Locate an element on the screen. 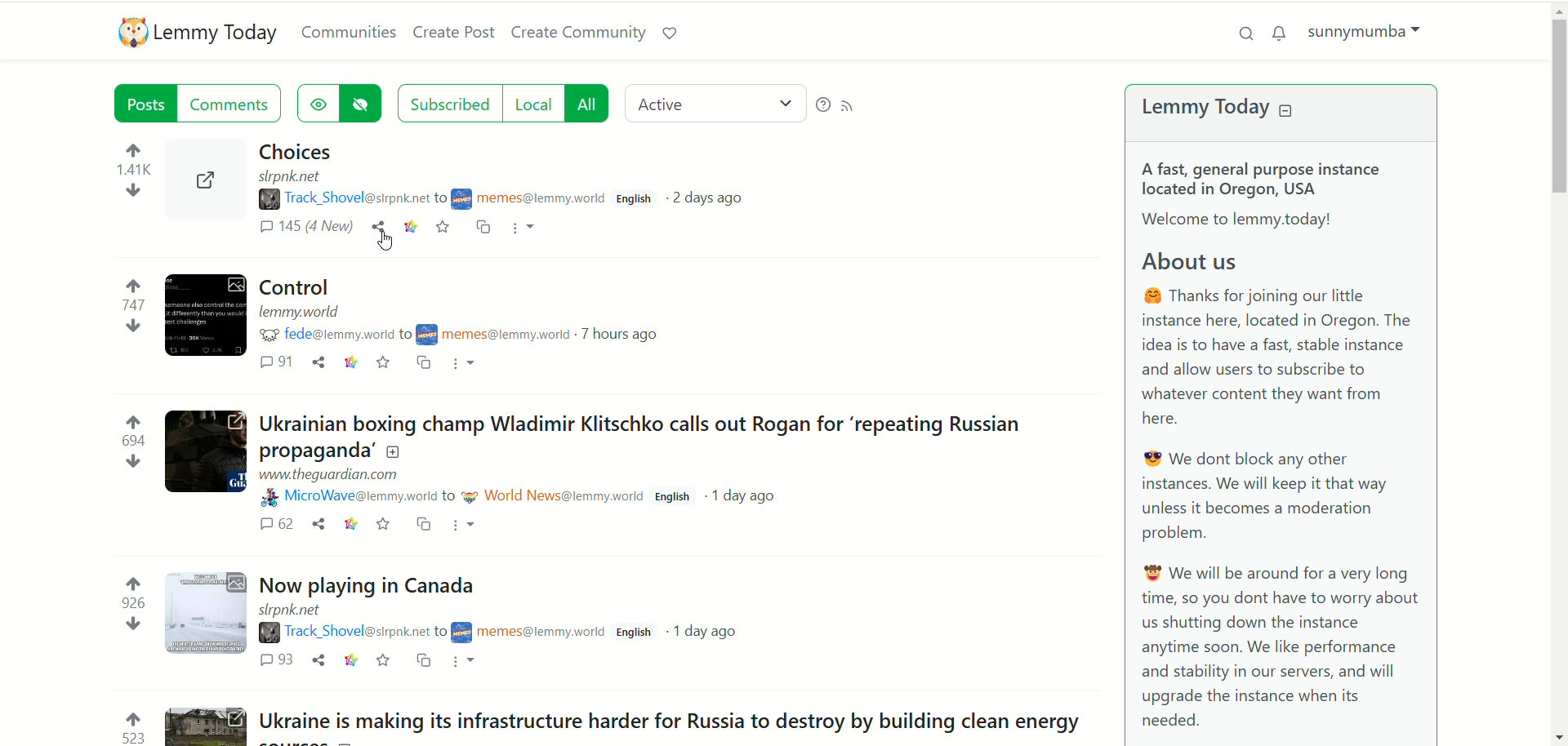  community is located at coordinates (526, 198).